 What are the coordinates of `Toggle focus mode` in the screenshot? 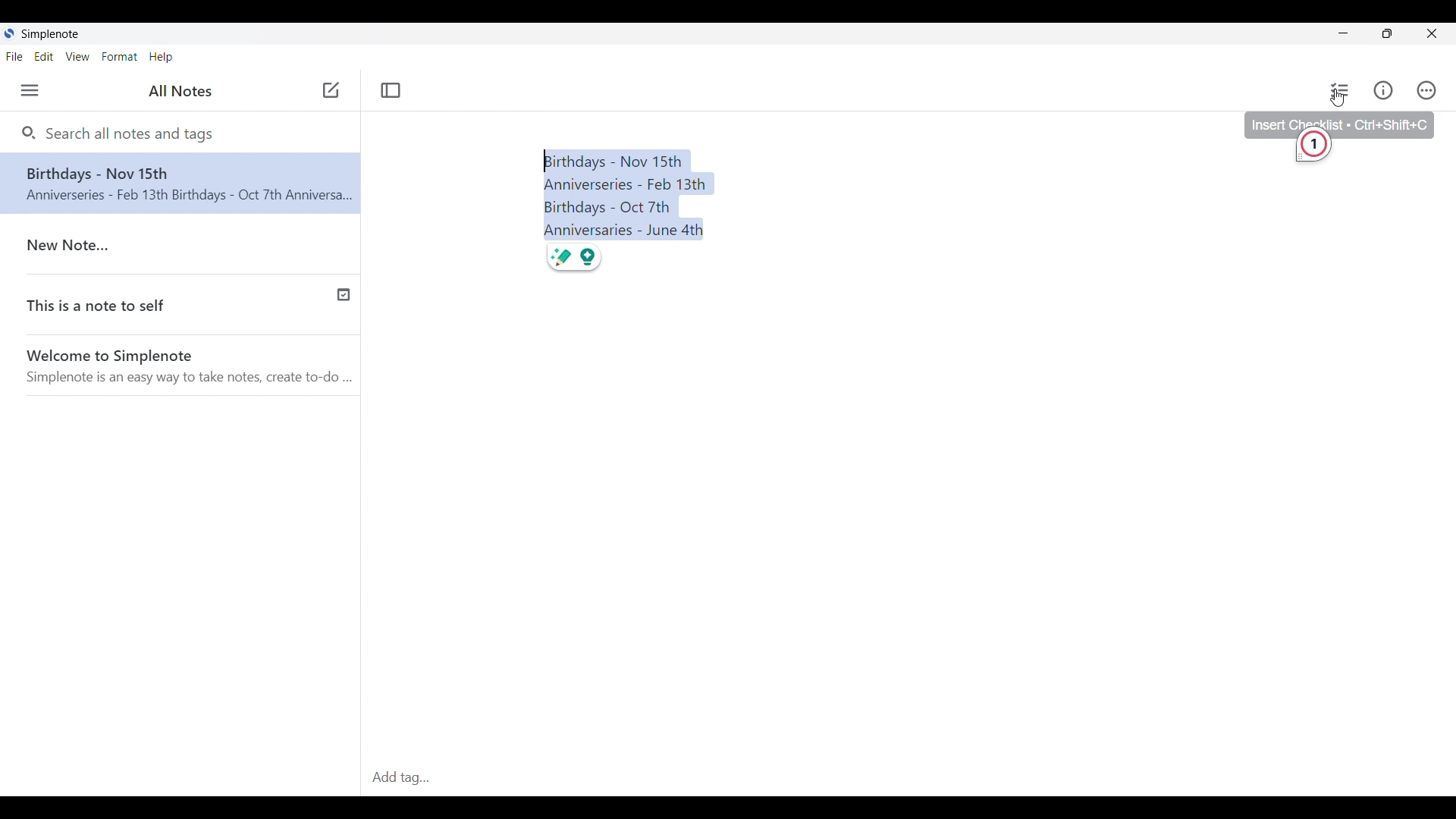 It's located at (391, 90).